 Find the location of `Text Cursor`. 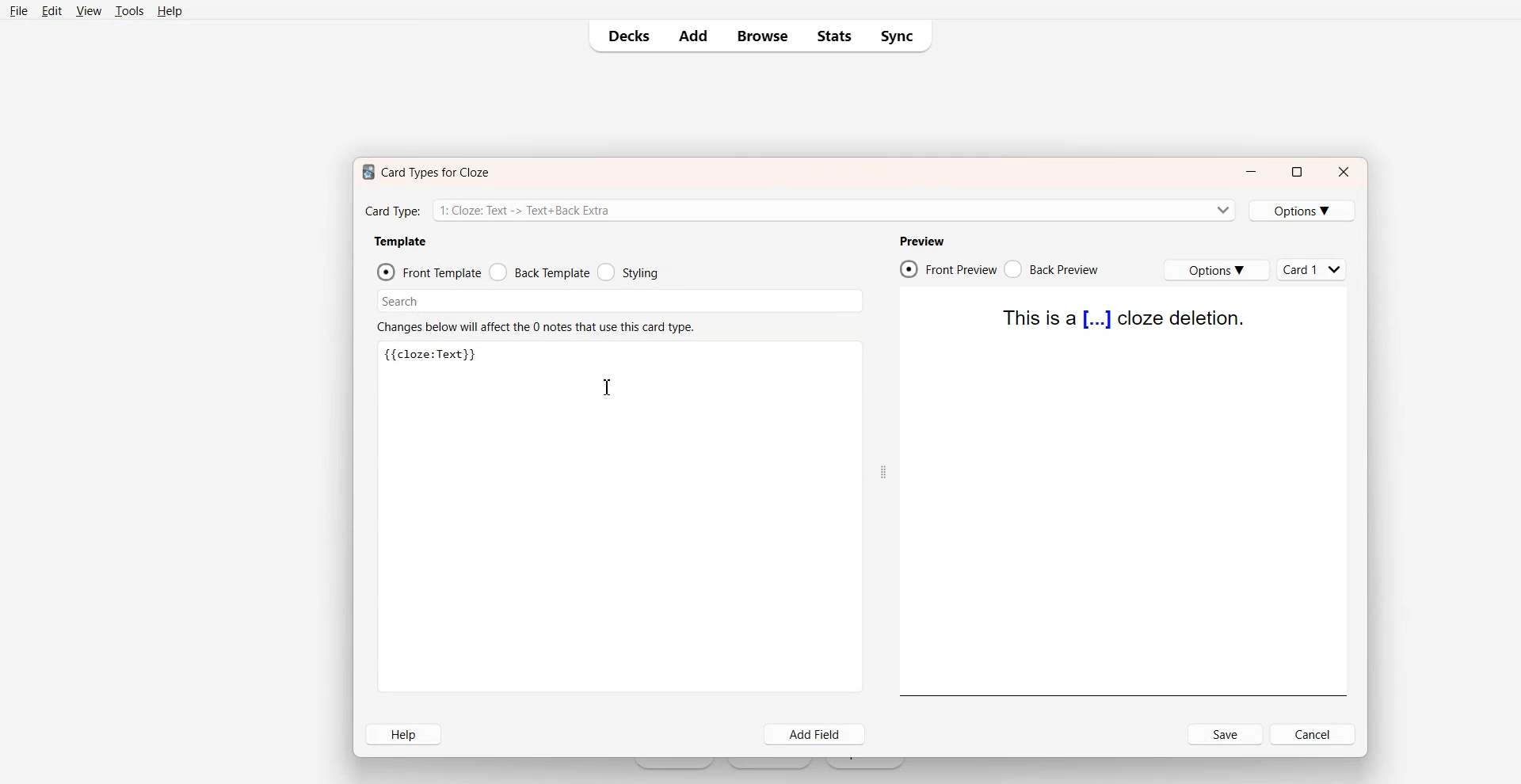

Text Cursor is located at coordinates (606, 388).